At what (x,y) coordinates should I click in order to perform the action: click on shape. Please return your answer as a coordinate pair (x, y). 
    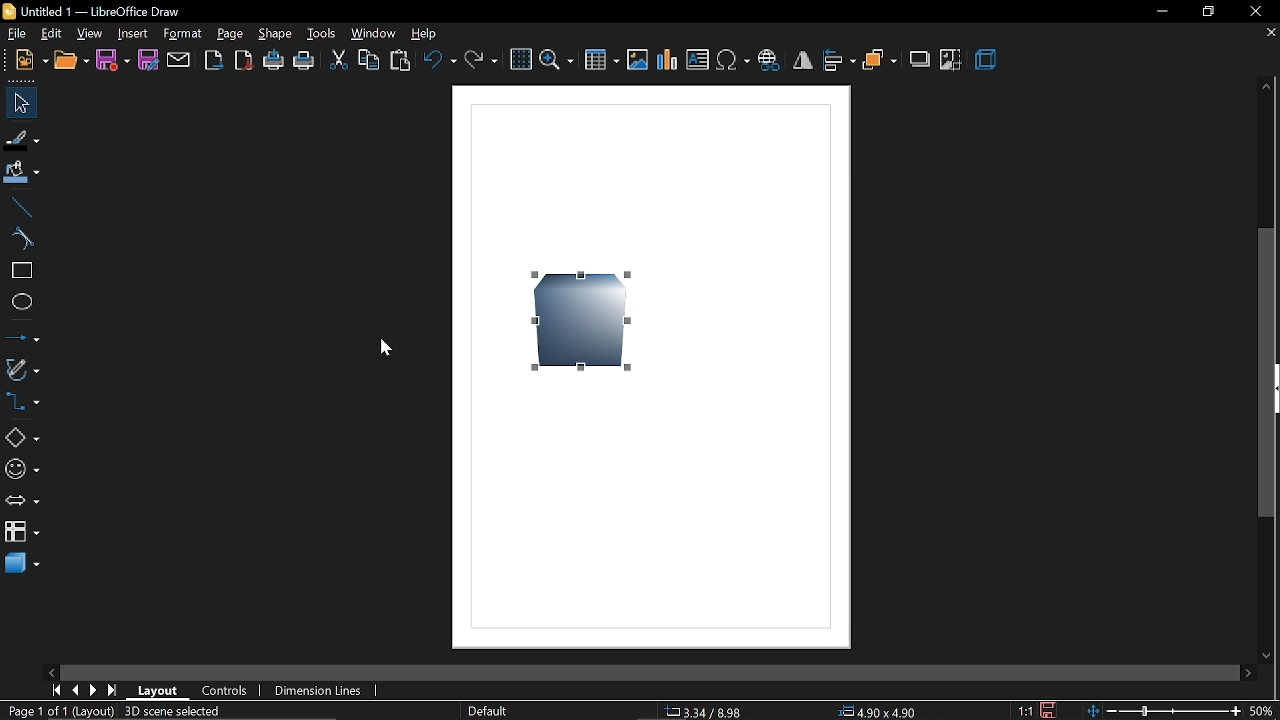
    Looking at the image, I should click on (276, 34).